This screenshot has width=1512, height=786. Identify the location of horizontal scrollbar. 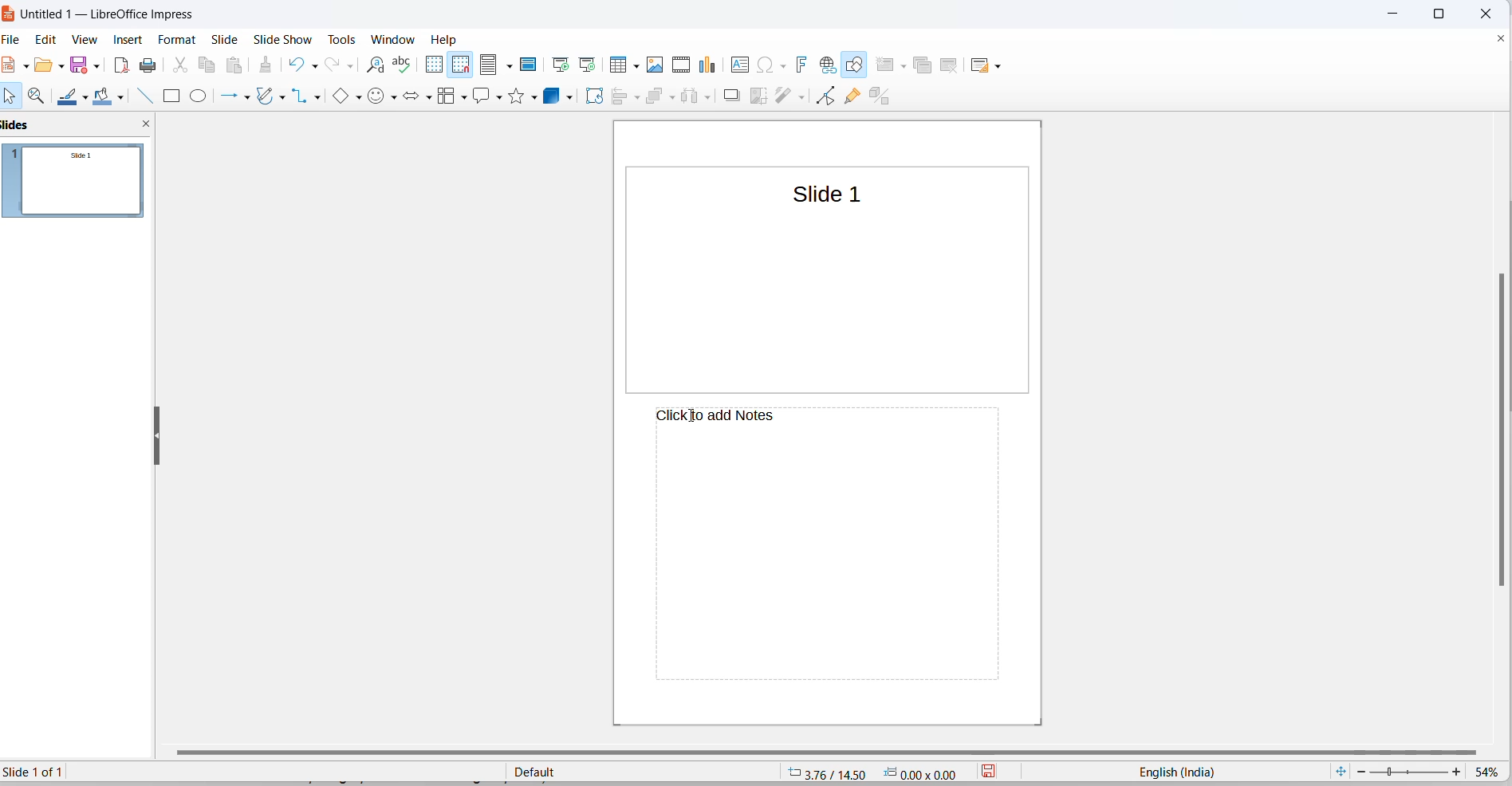
(838, 755).